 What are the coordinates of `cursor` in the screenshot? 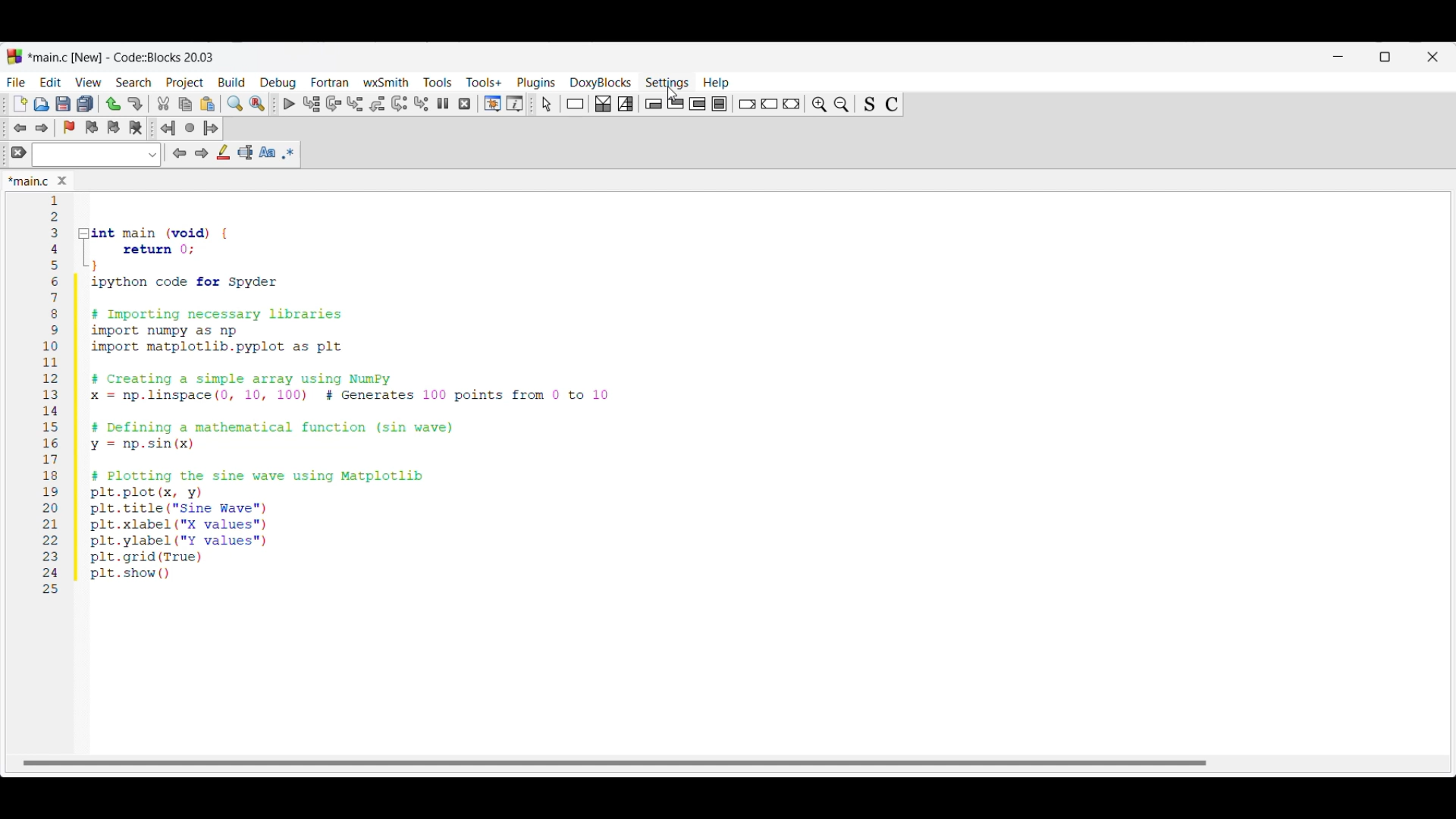 It's located at (667, 93).